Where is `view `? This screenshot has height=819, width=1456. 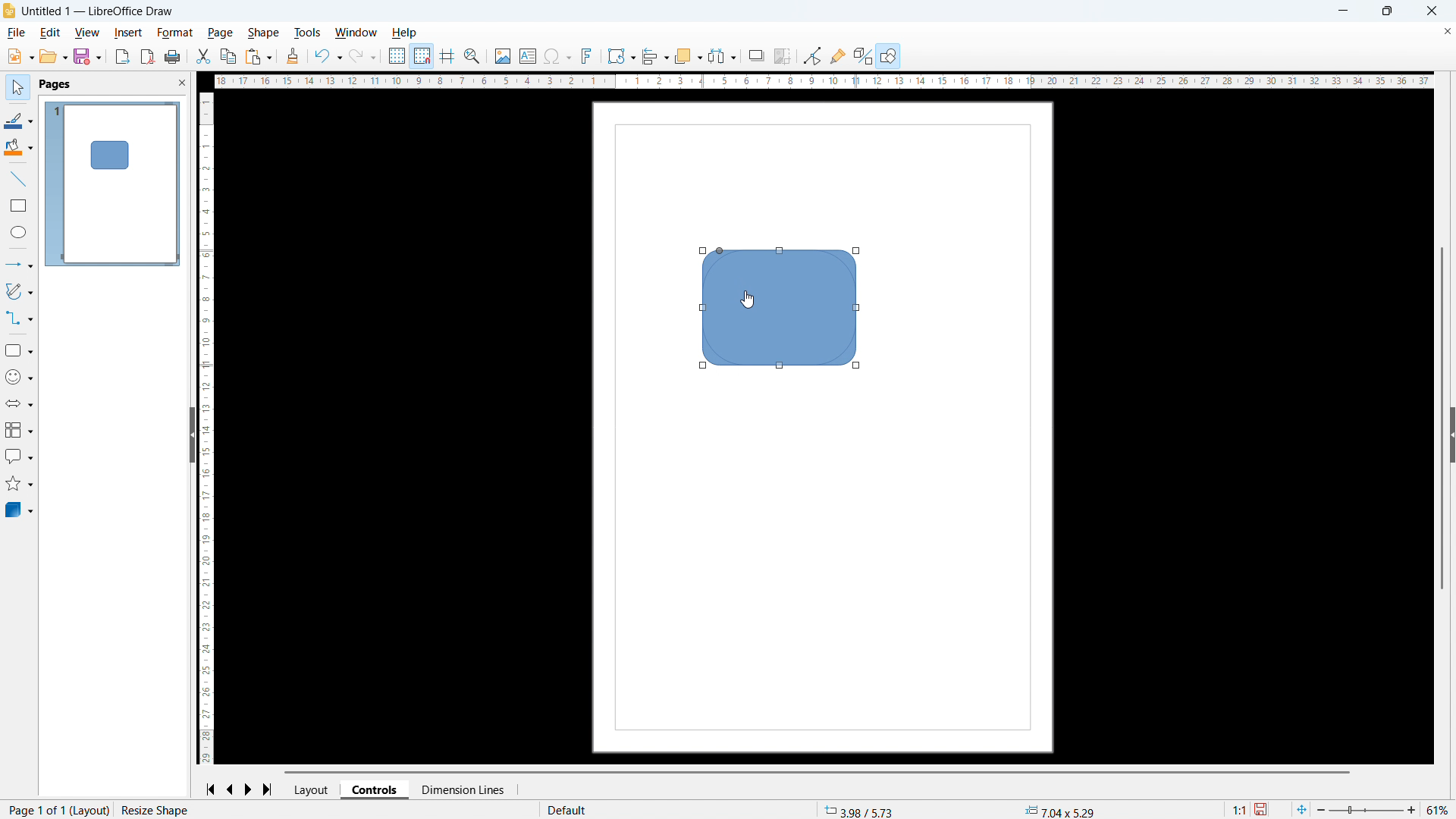
view  is located at coordinates (86, 33).